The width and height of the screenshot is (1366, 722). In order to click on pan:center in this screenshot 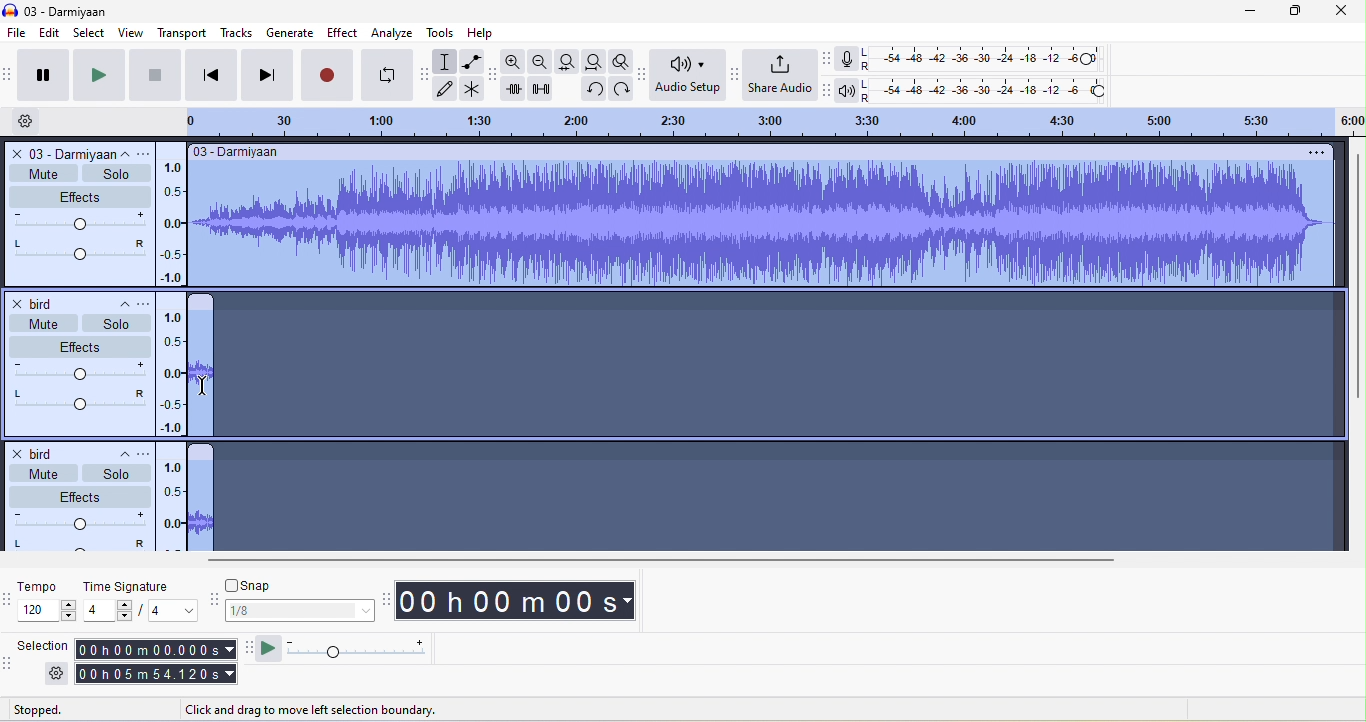, I will do `click(77, 398)`.